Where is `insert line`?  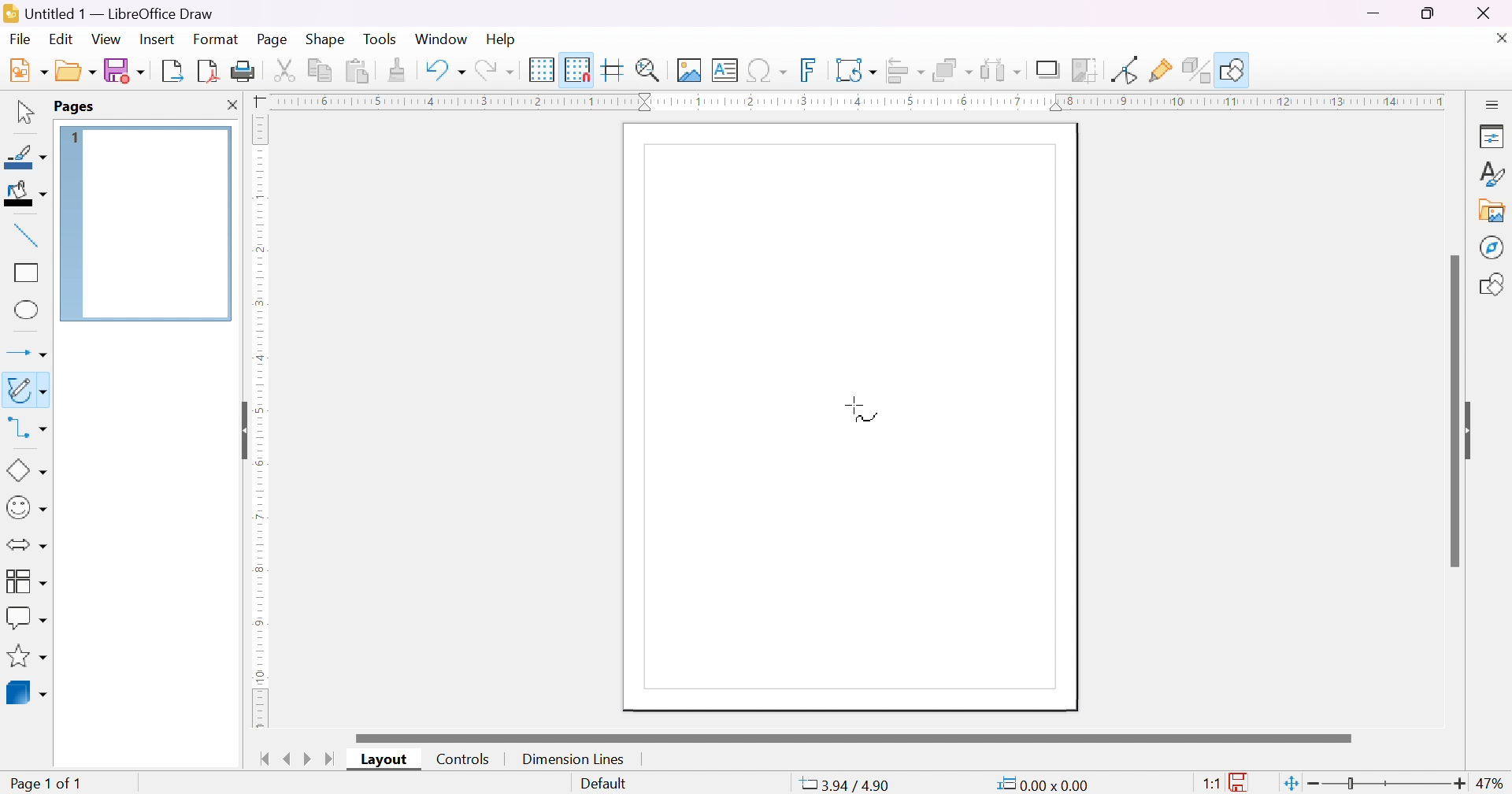 insert line is located at coordinates (27, 236).